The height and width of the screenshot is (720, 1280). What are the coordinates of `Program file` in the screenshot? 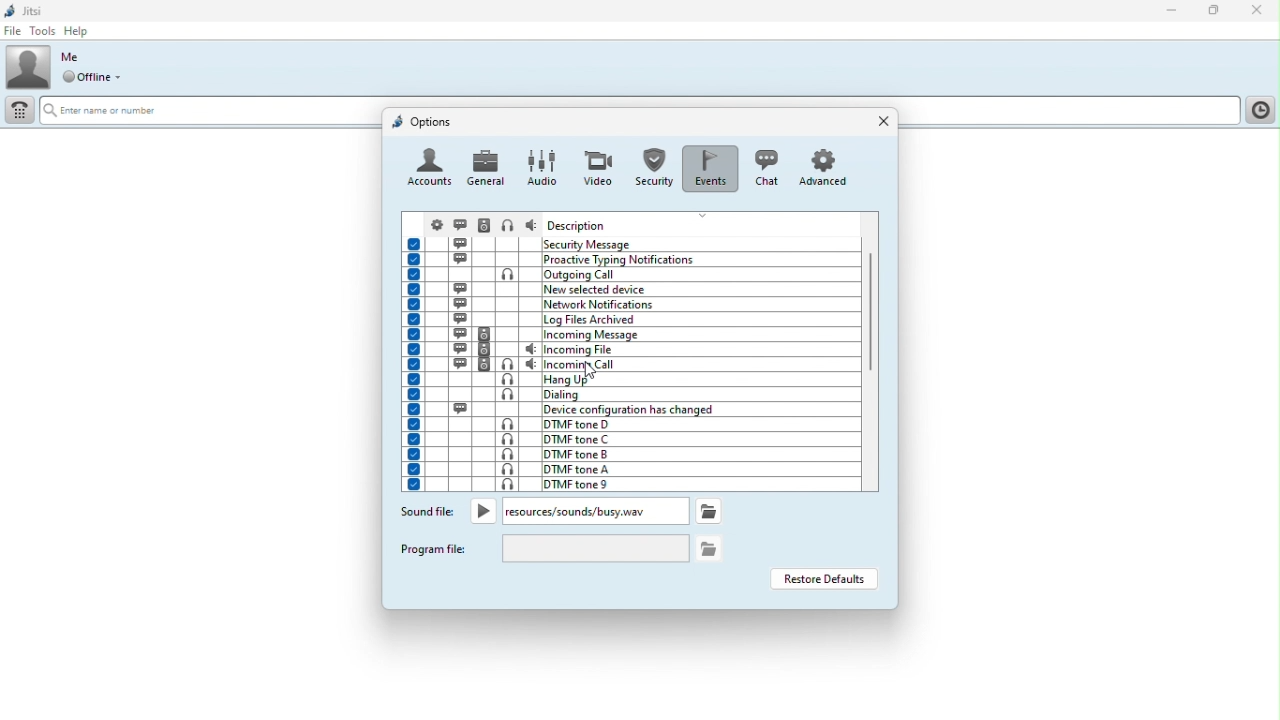 It's located at (436, 548).